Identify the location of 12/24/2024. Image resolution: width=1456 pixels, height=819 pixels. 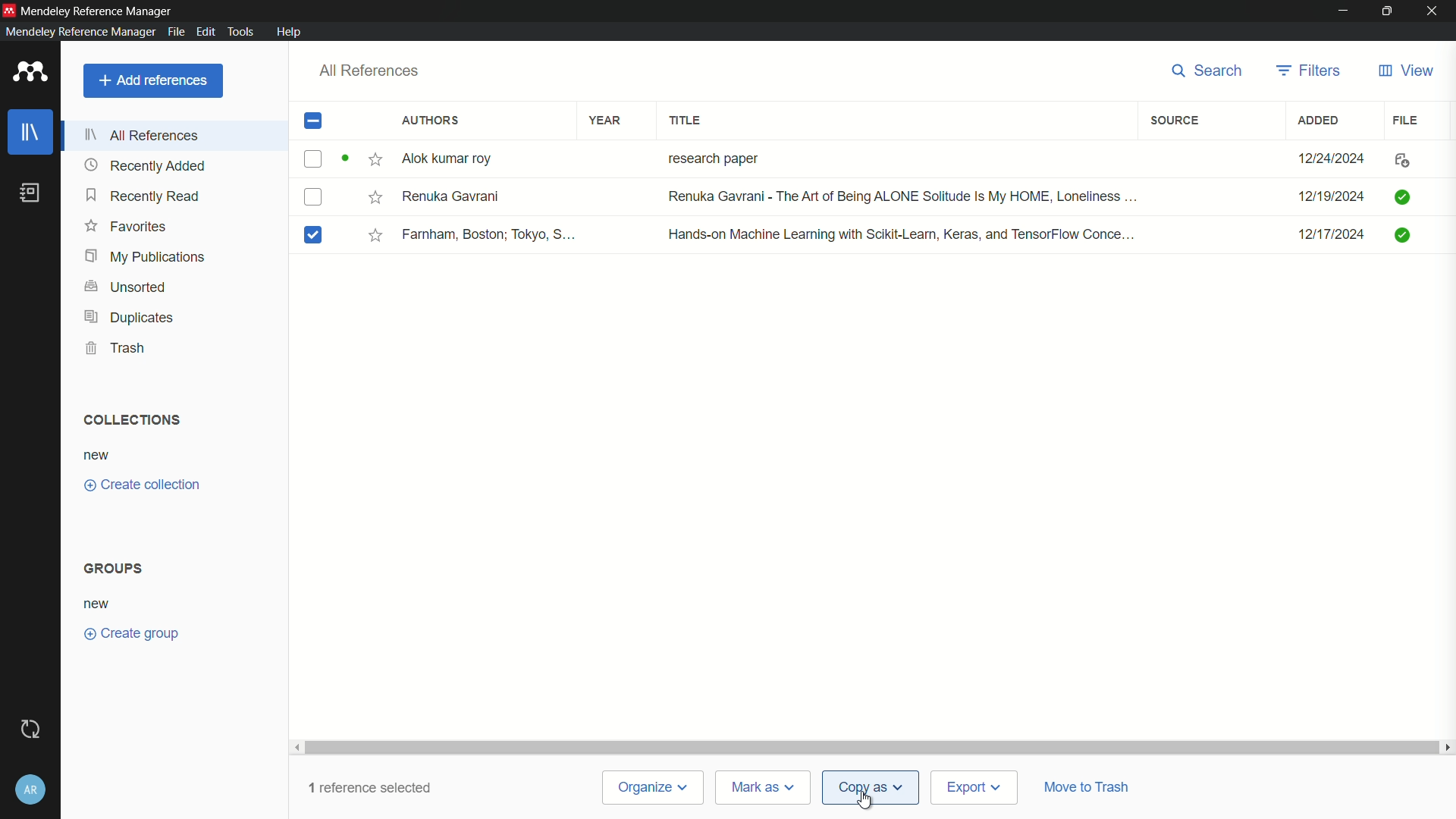
(1326, 155).